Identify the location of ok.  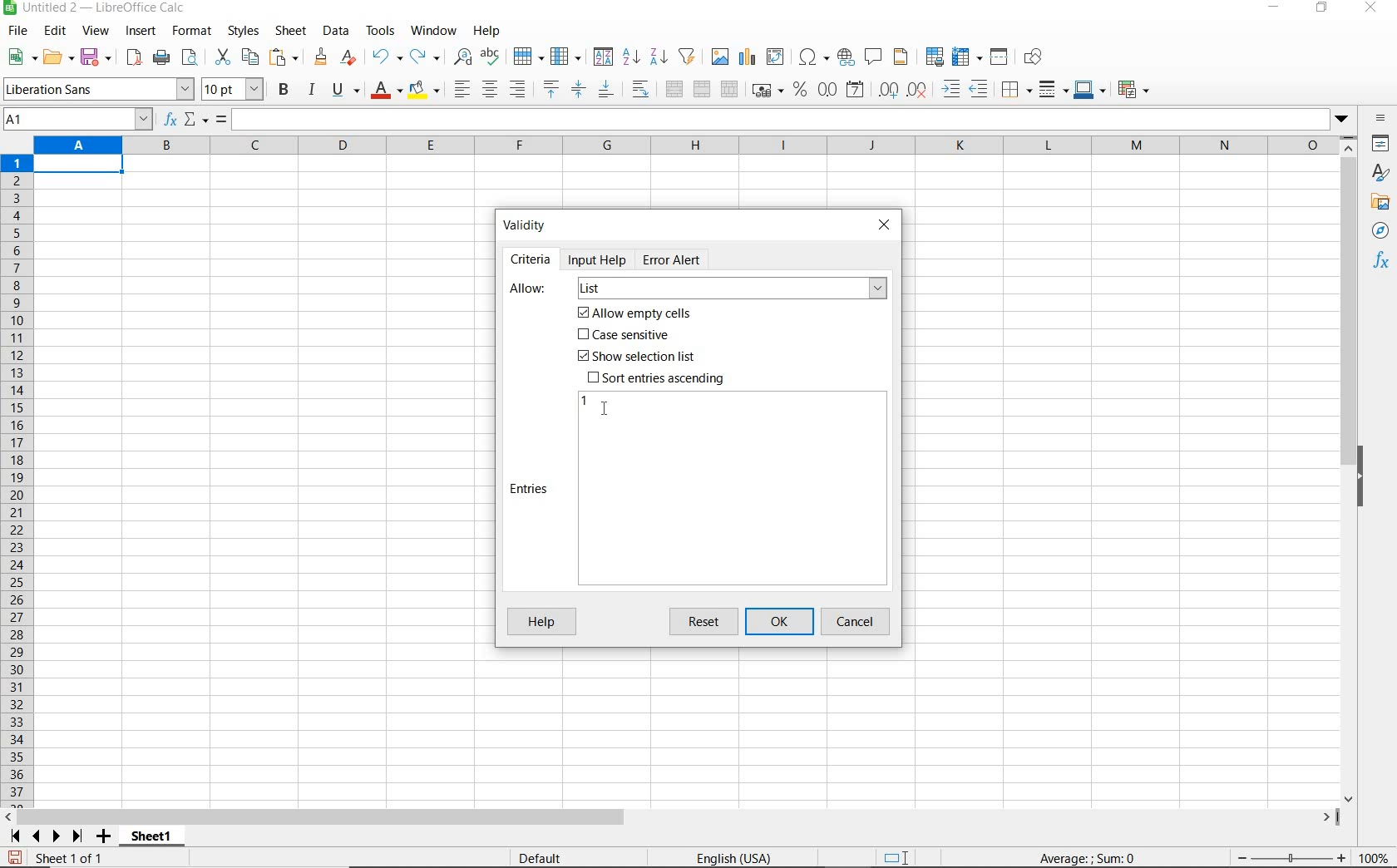
(783, 622).